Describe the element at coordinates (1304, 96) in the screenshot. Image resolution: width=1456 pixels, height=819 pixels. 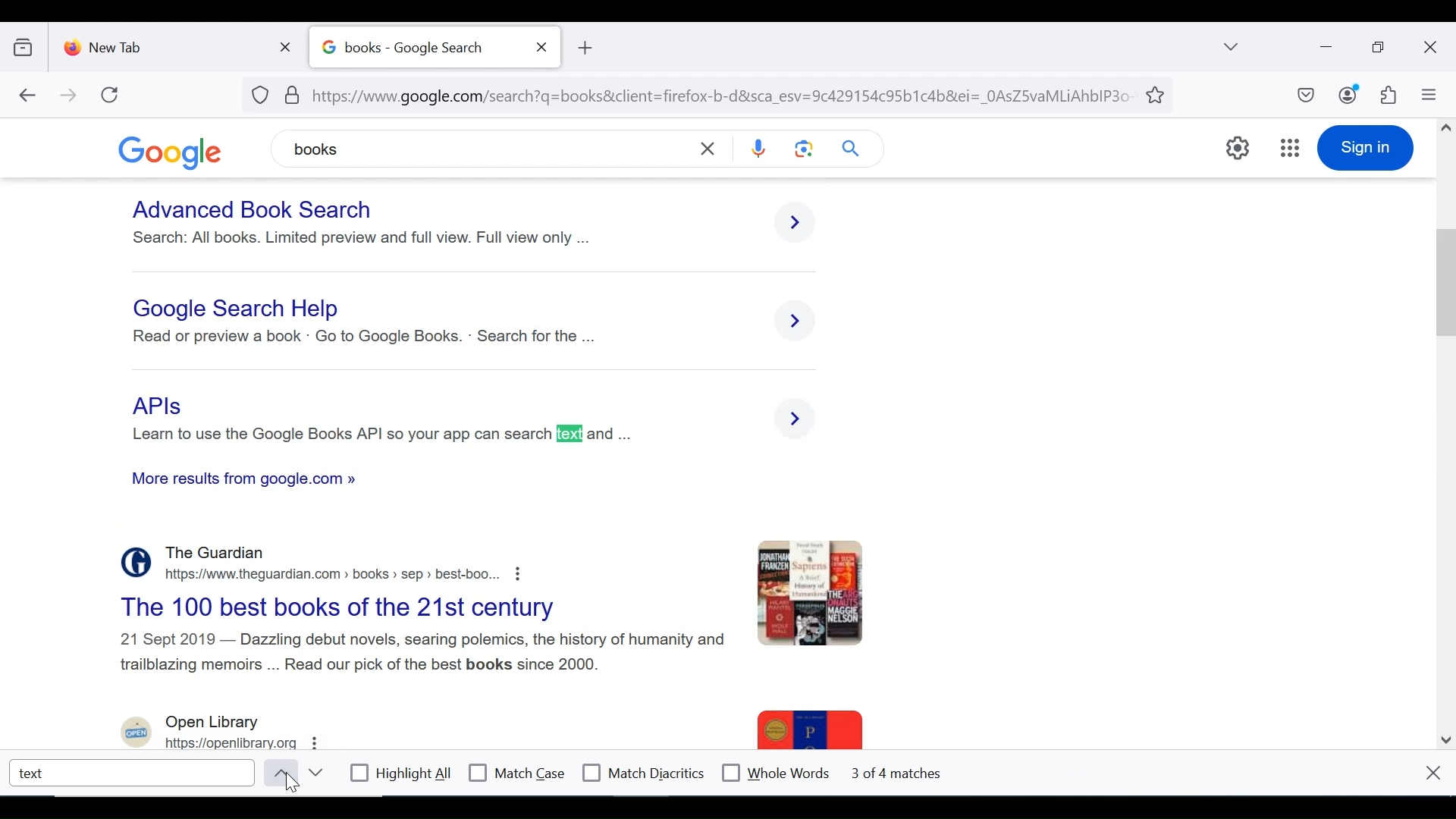
I see `save to pocket` at that location.